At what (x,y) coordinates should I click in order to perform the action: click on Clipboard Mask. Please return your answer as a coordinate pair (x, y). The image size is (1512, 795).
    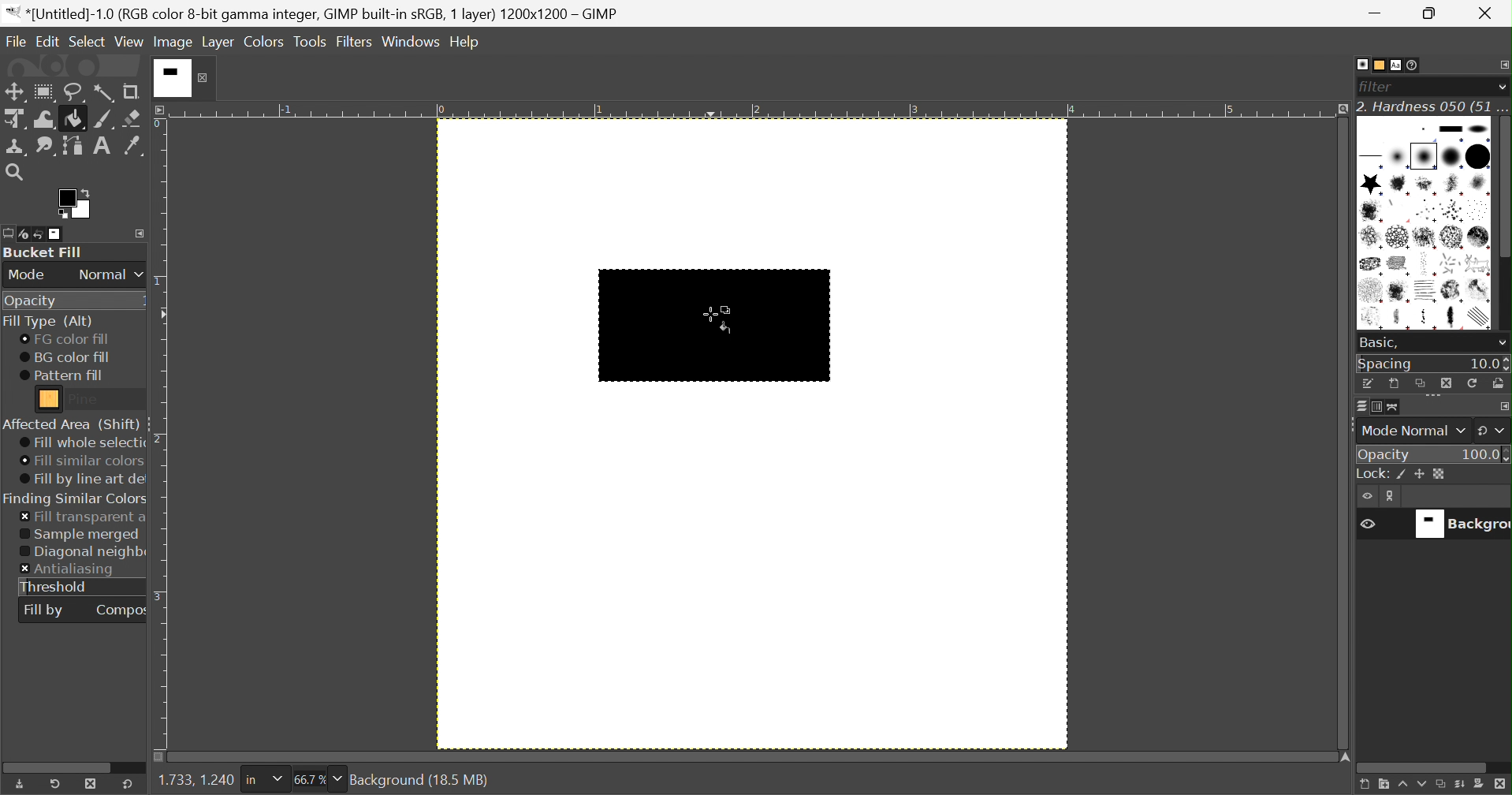
    Looking at the image, I should click on (1403, 130).